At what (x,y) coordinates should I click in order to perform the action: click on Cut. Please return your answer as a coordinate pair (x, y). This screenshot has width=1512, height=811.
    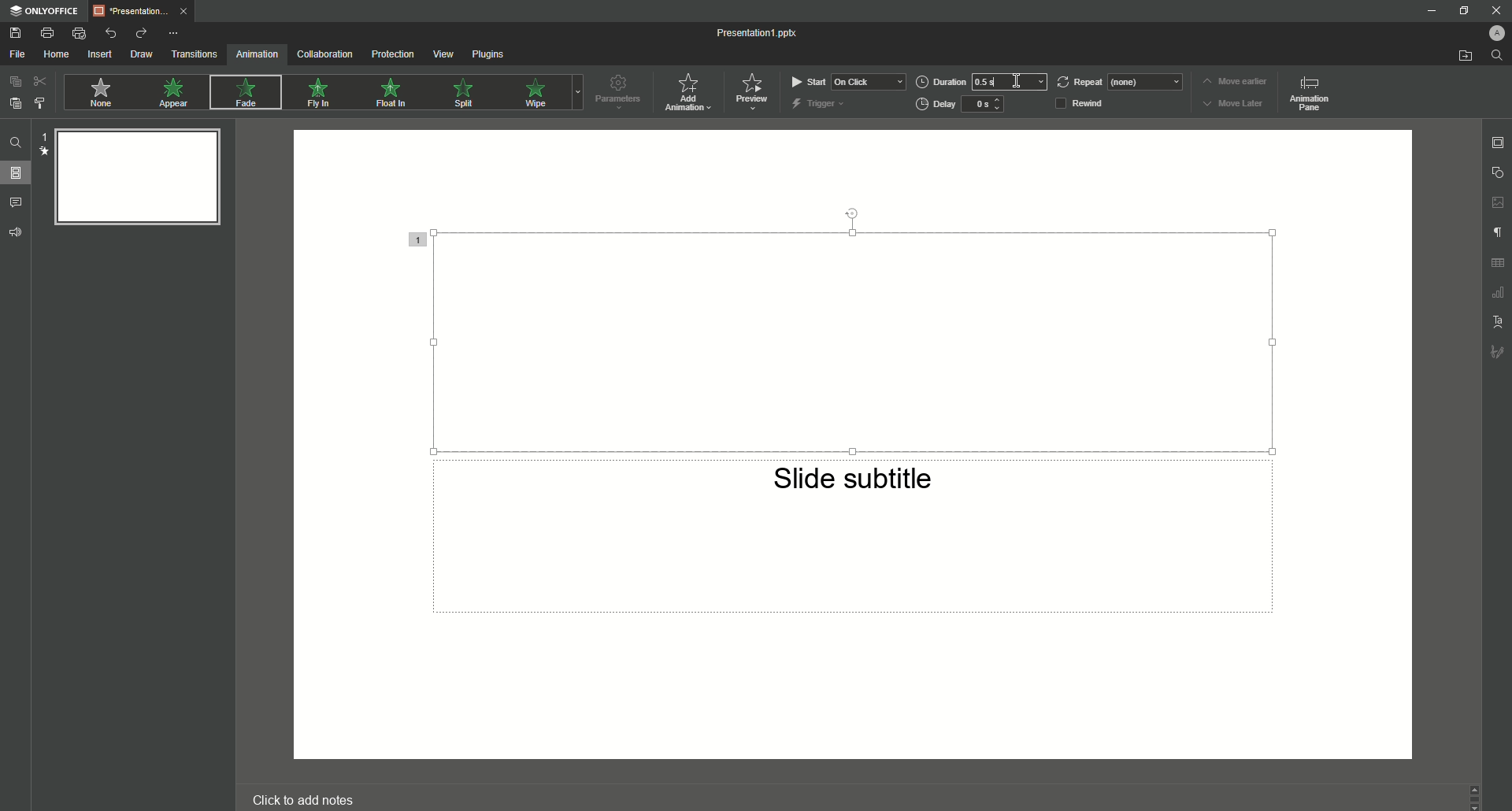
    Looking at the image, I should click on (41, 81).